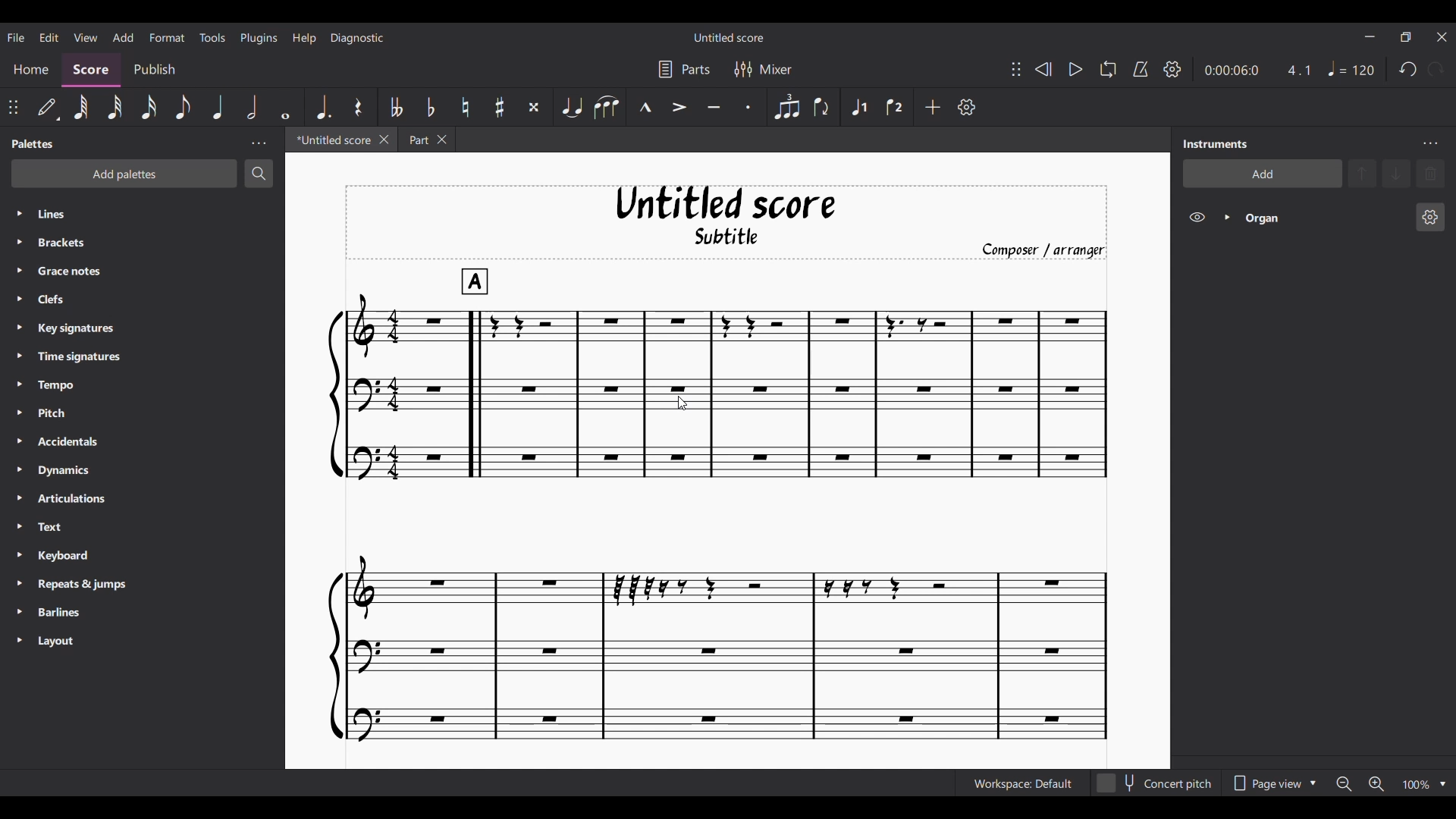 The width and height of the screenshot is (1456, 819). What do you see at coordinates (212, 37) in the screenshot?
I see `Tools menu` at bounding box center [212, 37].